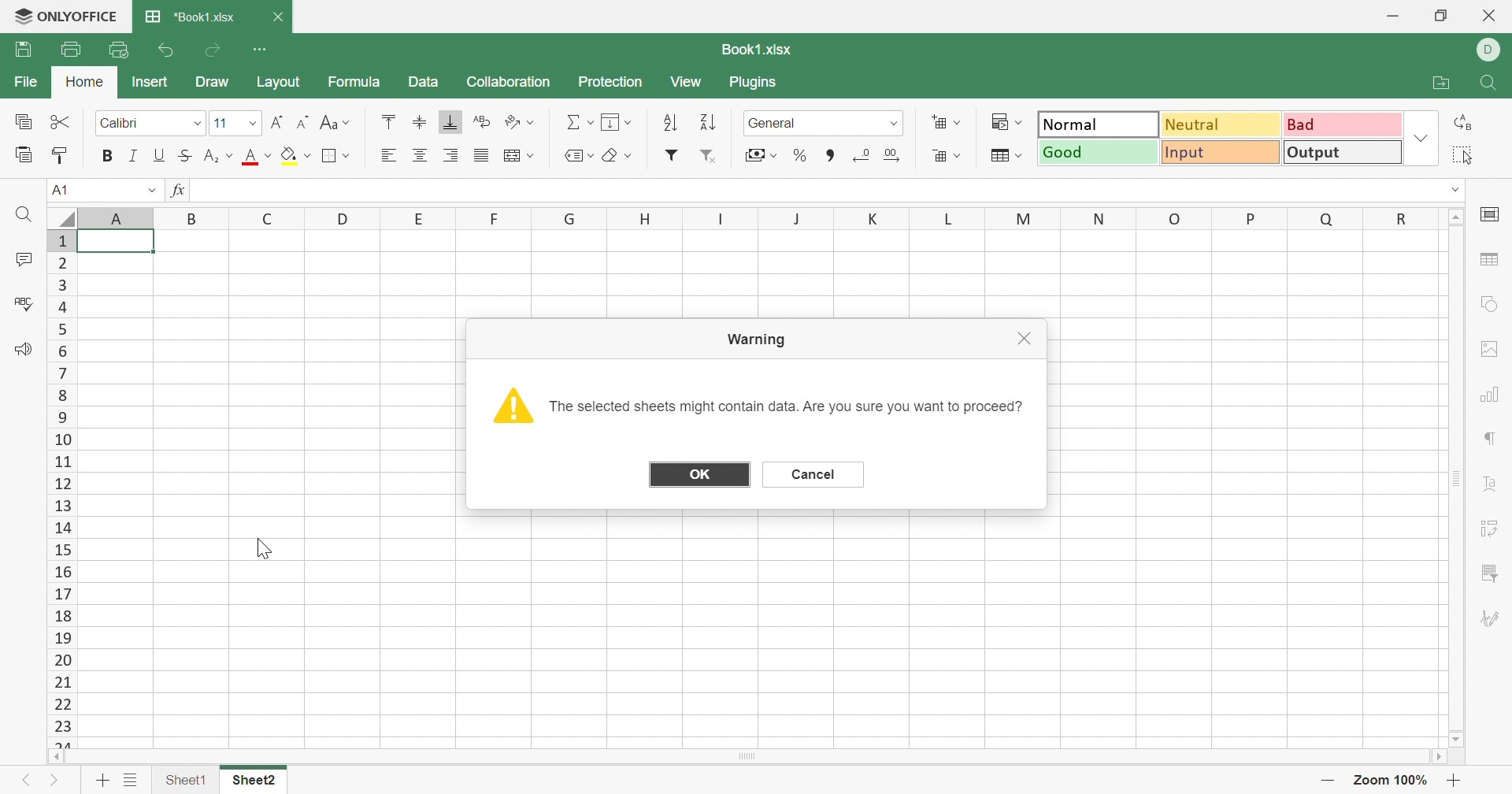 The height and width of the screenshot is (794, 1512). What do you see at coordinates (1388, 16) in the screenshot?
I see `Minimize` at bounding box center [1388, 16].